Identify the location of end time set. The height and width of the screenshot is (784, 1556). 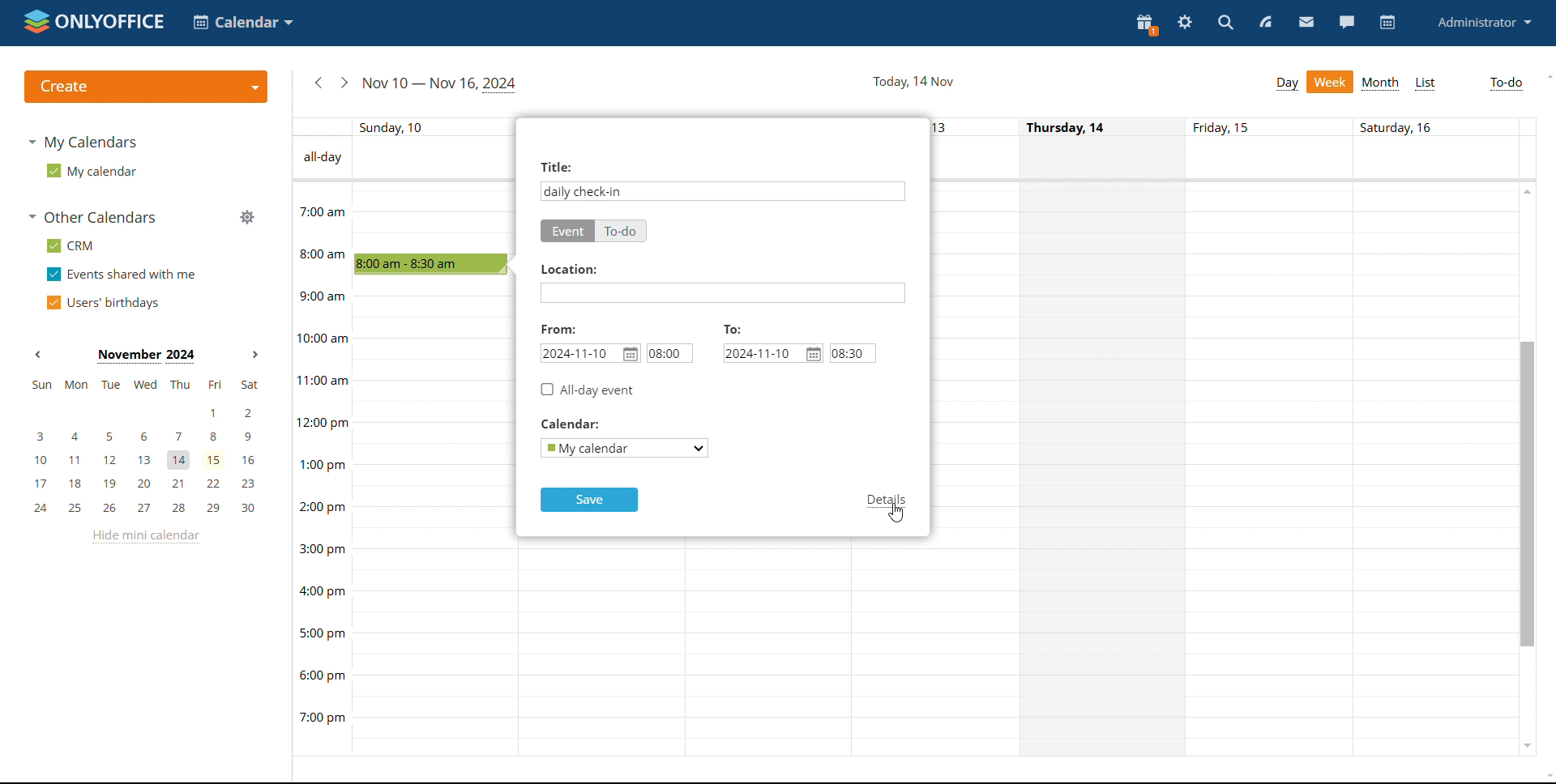
(854, 353).